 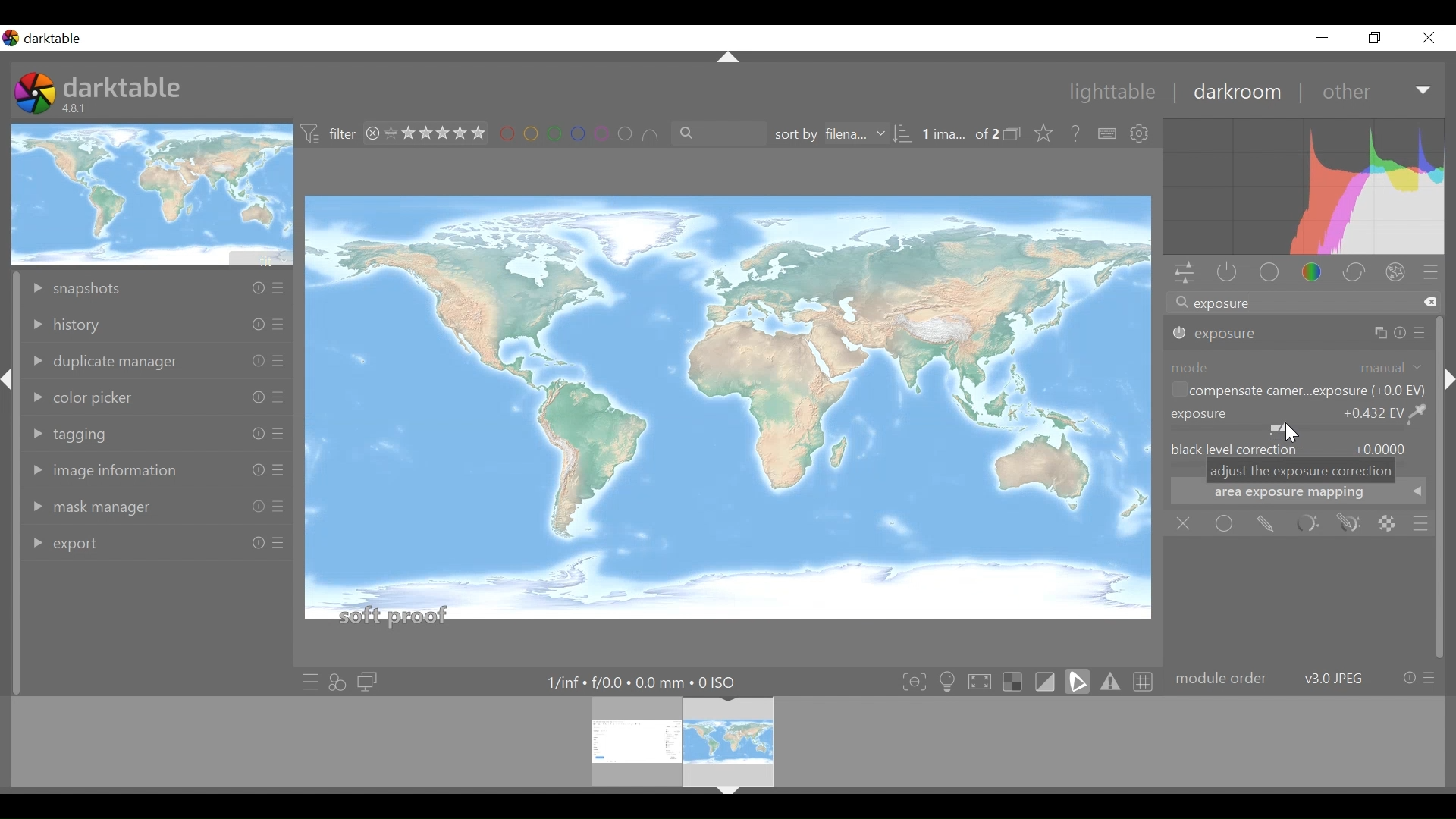 I want to click on quick access to presets, so click(x=310, y=682).